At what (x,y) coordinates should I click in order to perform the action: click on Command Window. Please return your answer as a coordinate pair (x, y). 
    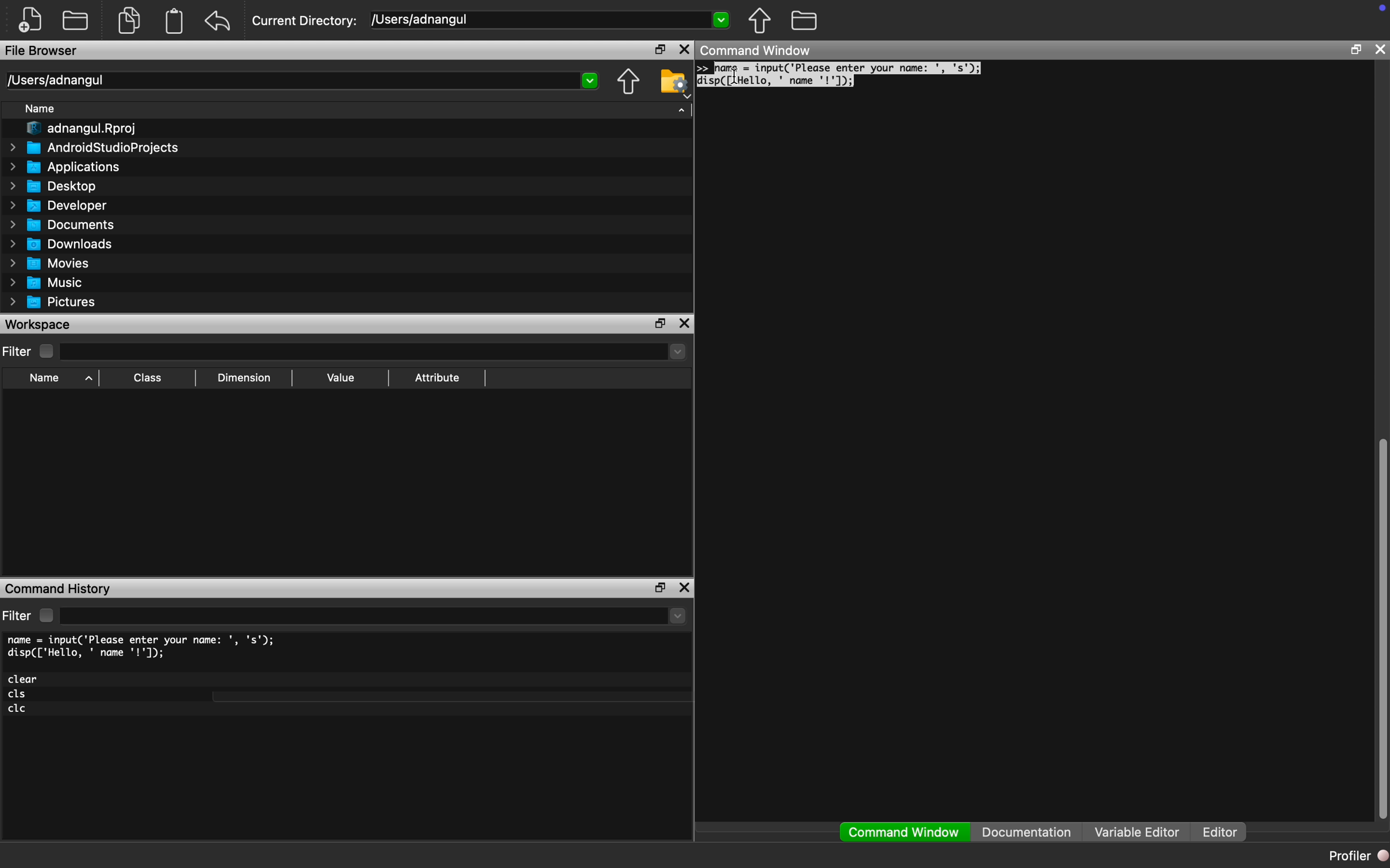
    Looking at the image, I should click on (905, 832).